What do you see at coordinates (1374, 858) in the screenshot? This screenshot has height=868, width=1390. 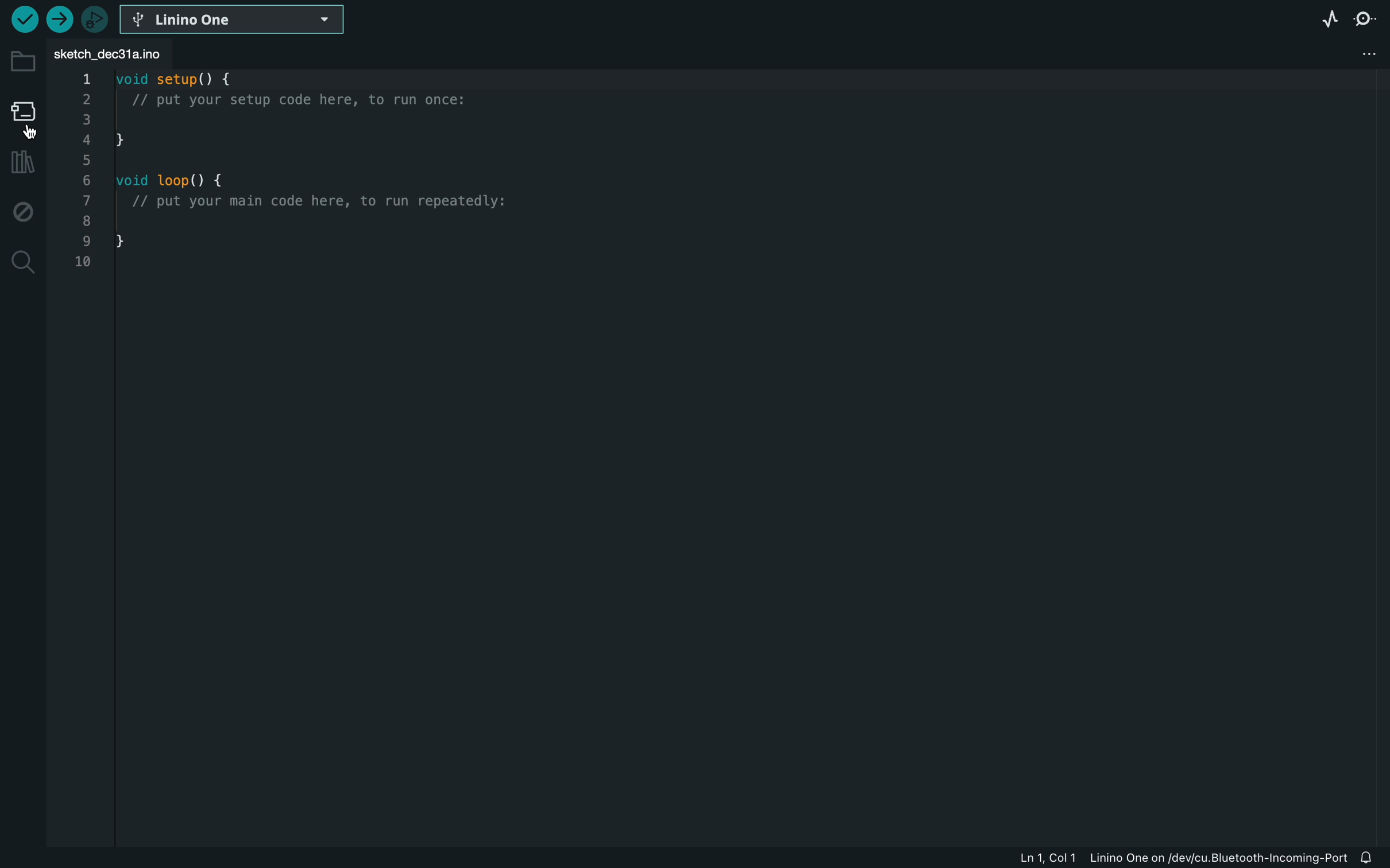 I see `notification` at bounding box center [1374, 858].